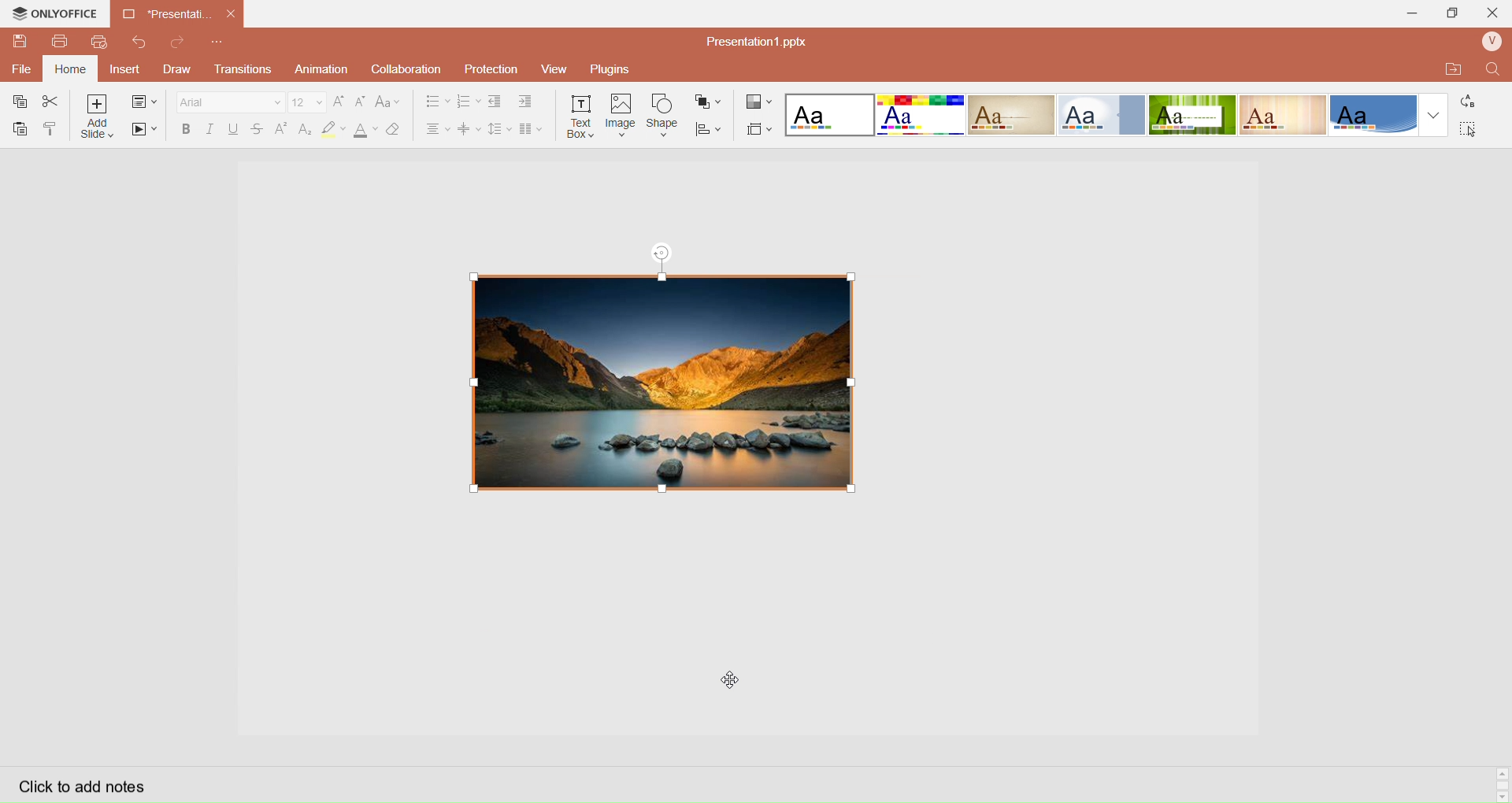 Image resolution: width=1512 pixels, height=803 pixels. Describe the element at coordinates (169, 14) in the screenshot. I see `Current open document` at that location.